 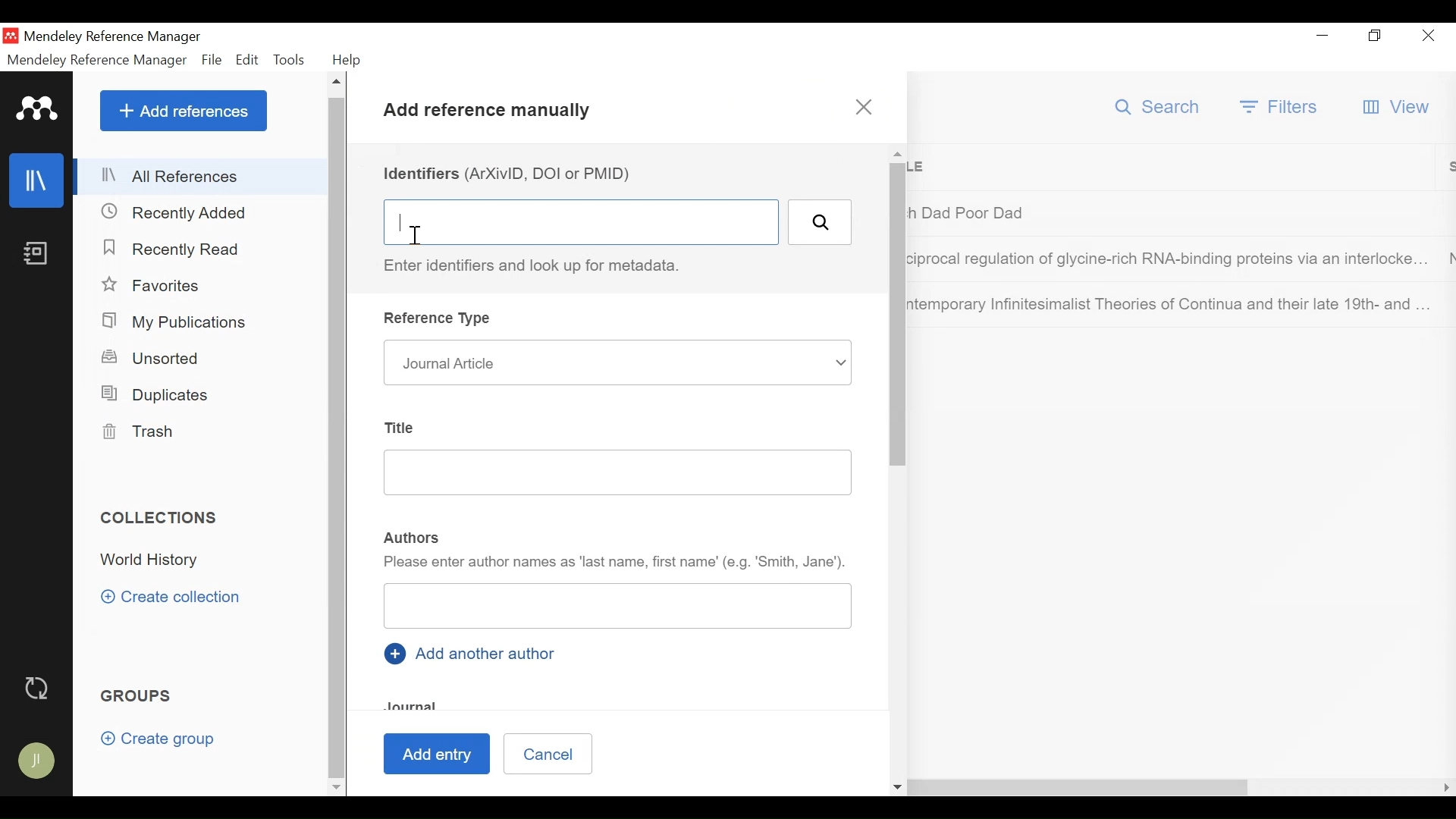 What do you see at coordinates (290, 58) in the screenshot?
I see `Tools` at bounding box center [290, 58].